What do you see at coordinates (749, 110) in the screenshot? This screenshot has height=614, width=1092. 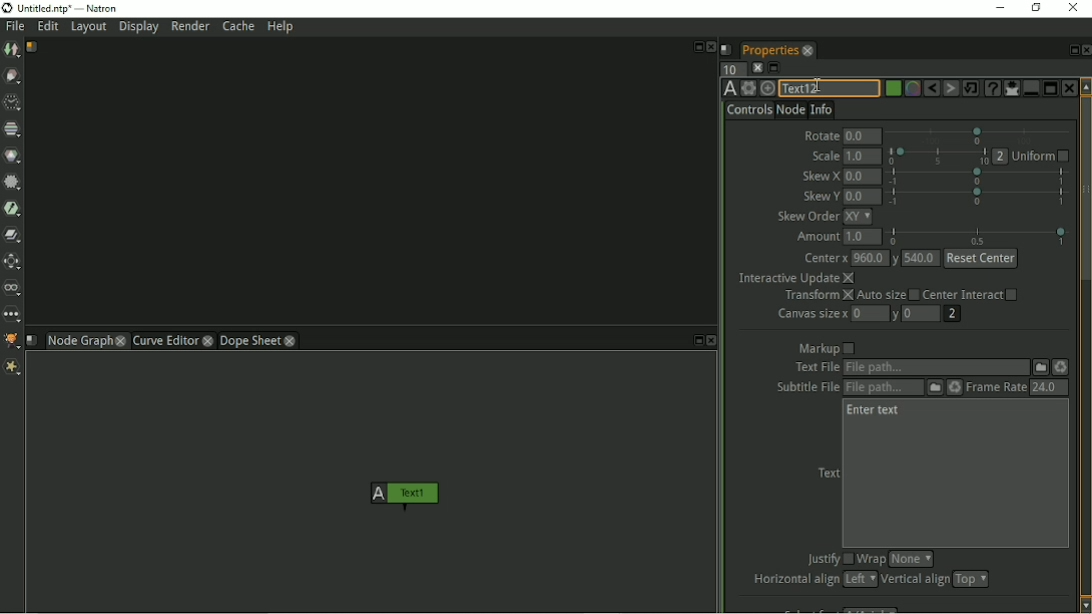 I see `Controls` at bounding box center [749, 110].